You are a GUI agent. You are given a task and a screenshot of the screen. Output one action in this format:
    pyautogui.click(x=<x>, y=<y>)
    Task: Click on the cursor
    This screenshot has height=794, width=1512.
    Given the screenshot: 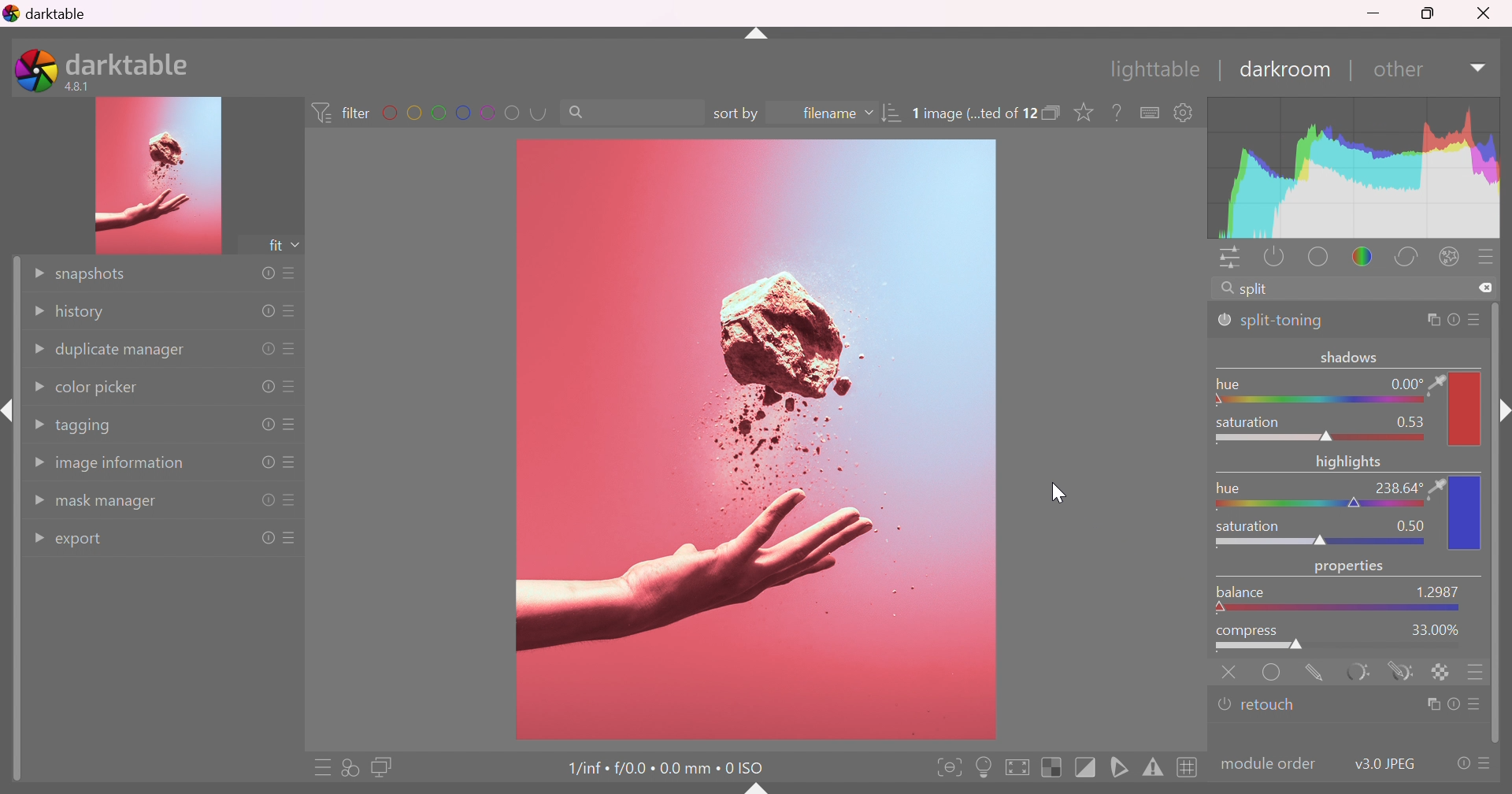 What is the action you would take?
    pyautogui.click(x=1059, y=492)
    